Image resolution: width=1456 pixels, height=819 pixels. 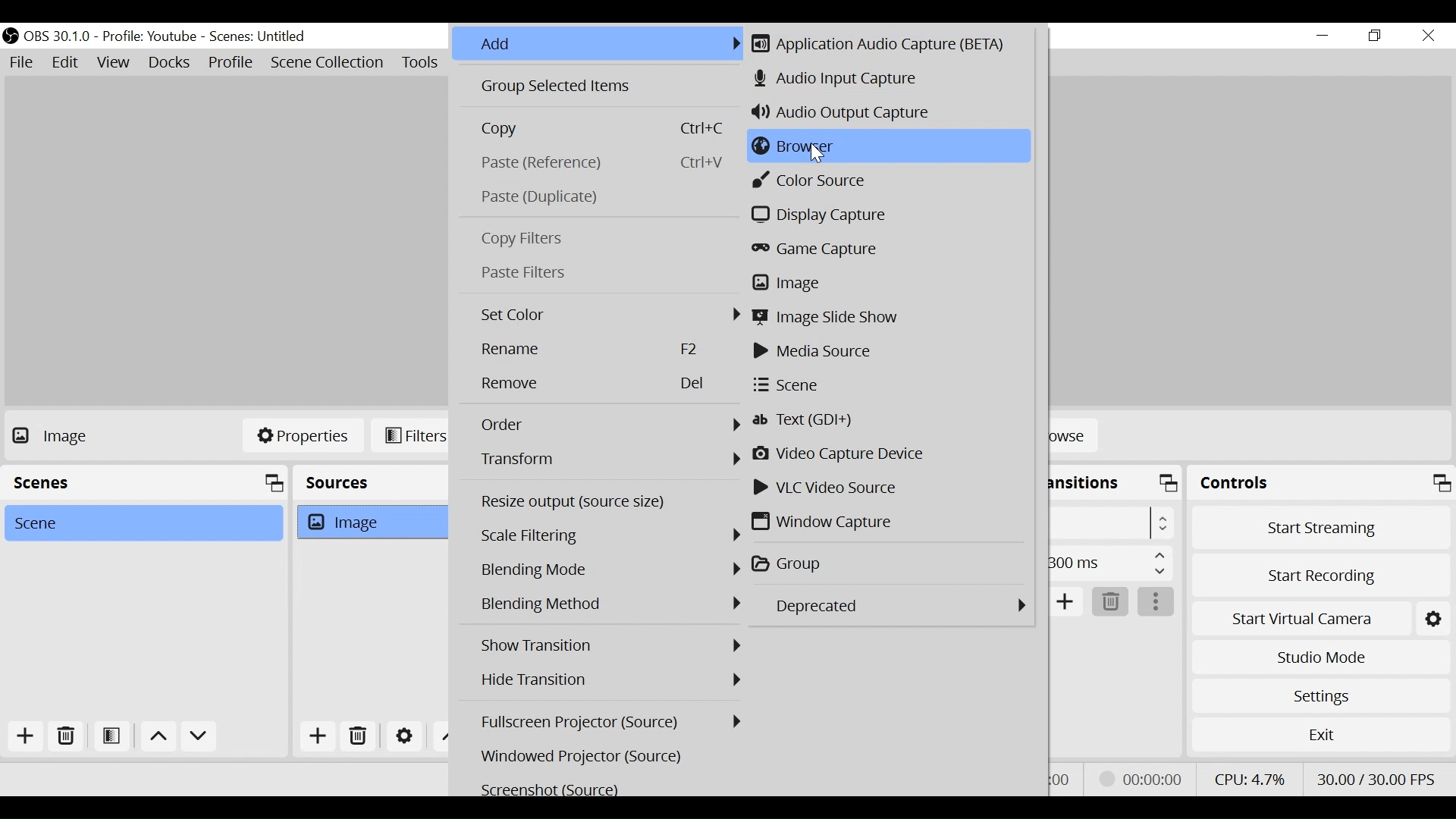 I want to click on Paste Duplicate, so click(x=604, y=199).